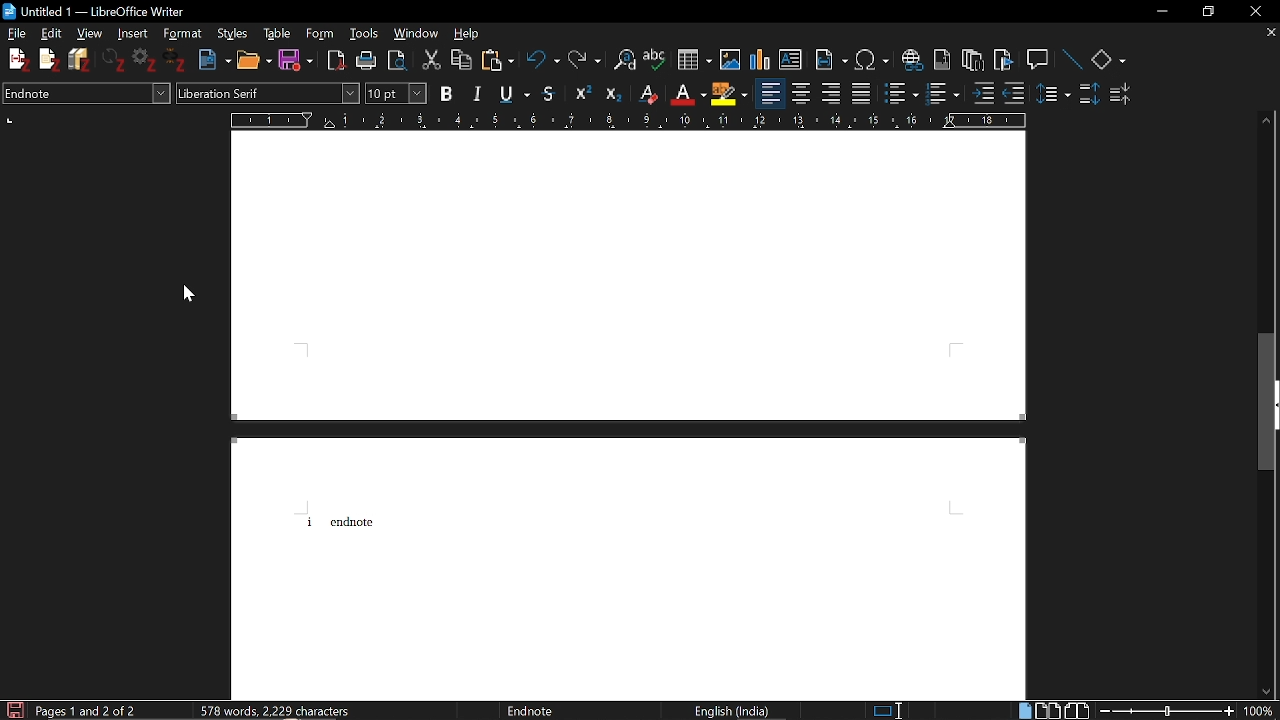  Describe the element at coordinates (913, 60) in the screenshot. I see `Insert hyperlink` at that location.